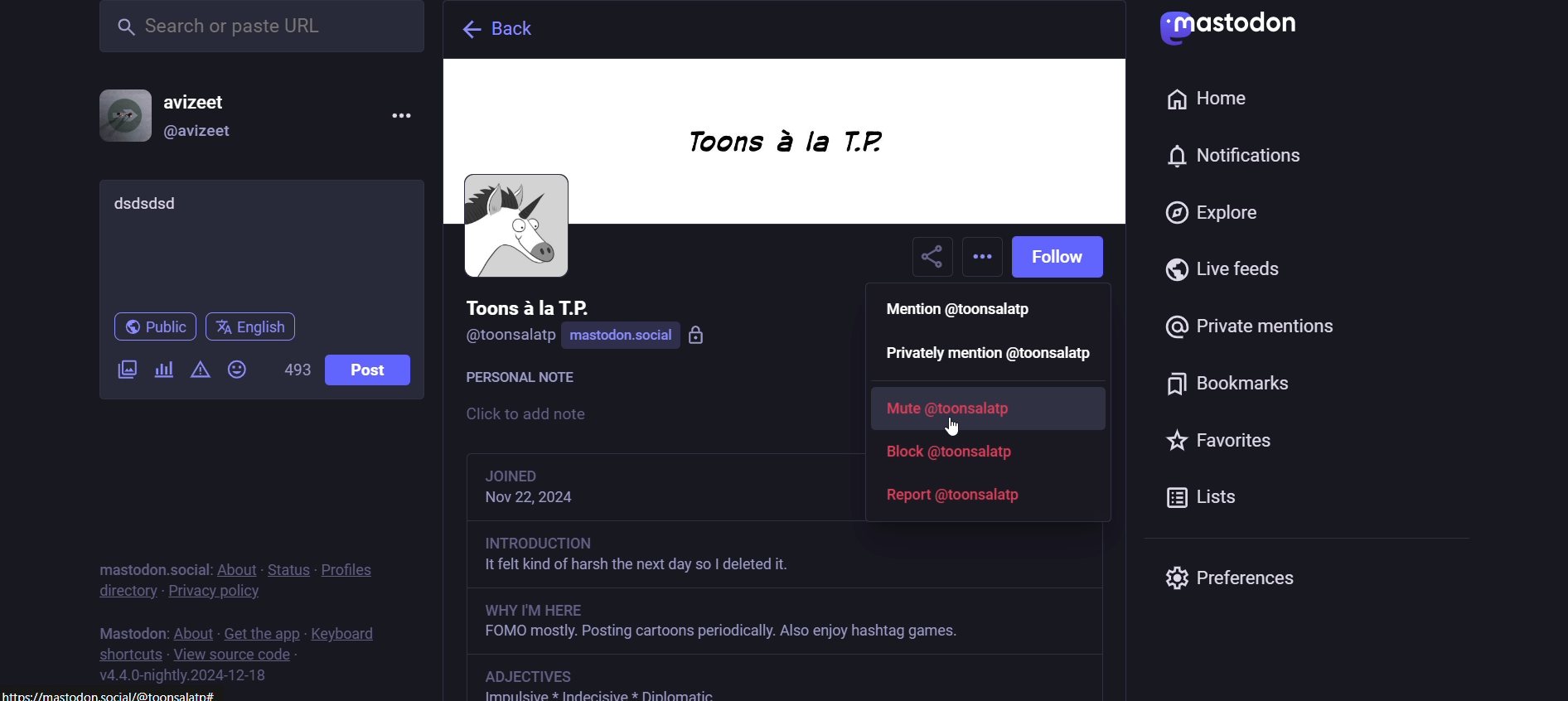 Image resolution: width=1568 pixels, height=701 pixels. What do you see at coordinates (239, 656) in the screenshot?
I see `view source code` at bounding box center [239, 656].